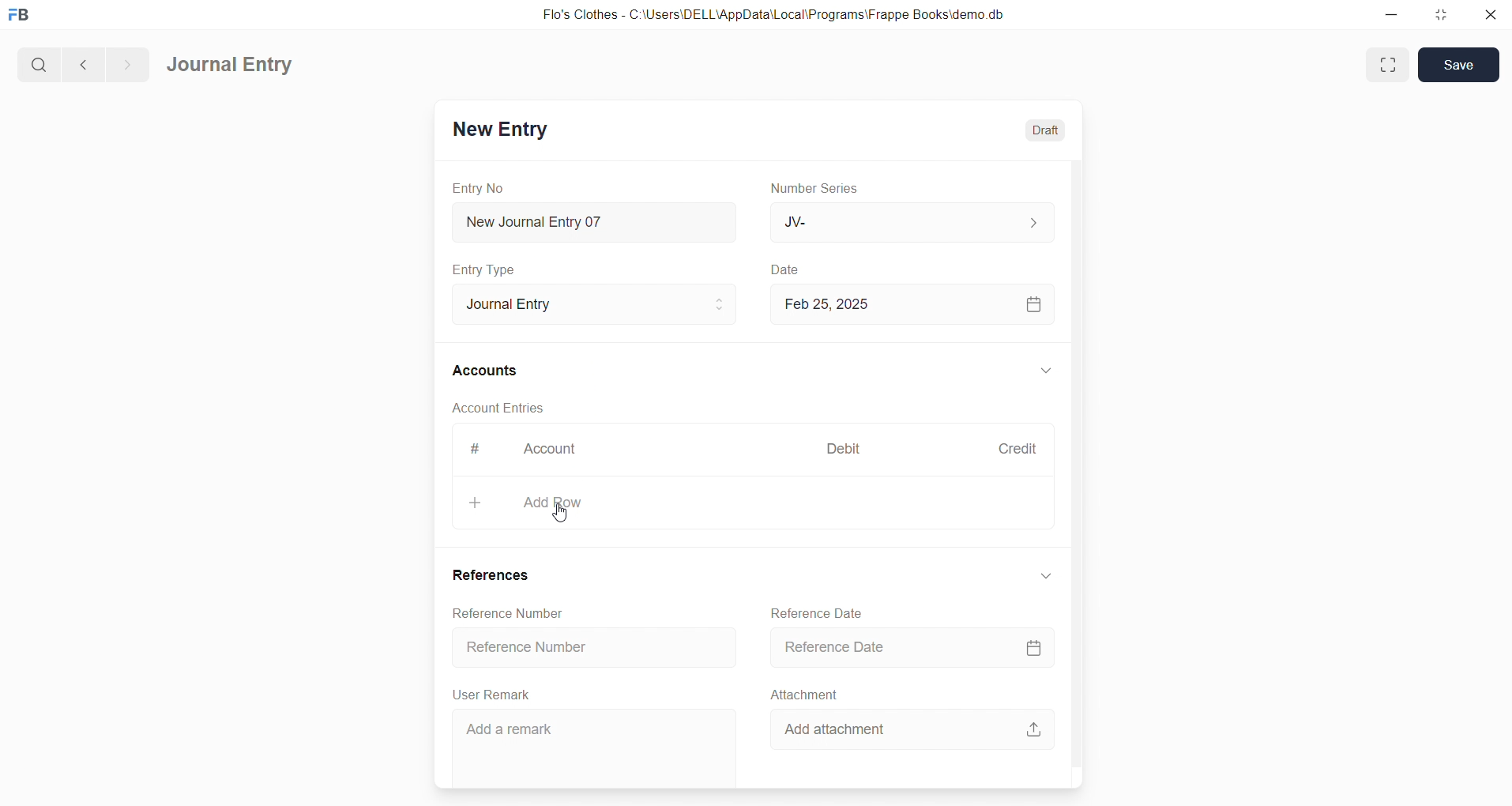  Describe the element at coordinates (485, 269) in the screenshot. I see `Entry Type` at that location.